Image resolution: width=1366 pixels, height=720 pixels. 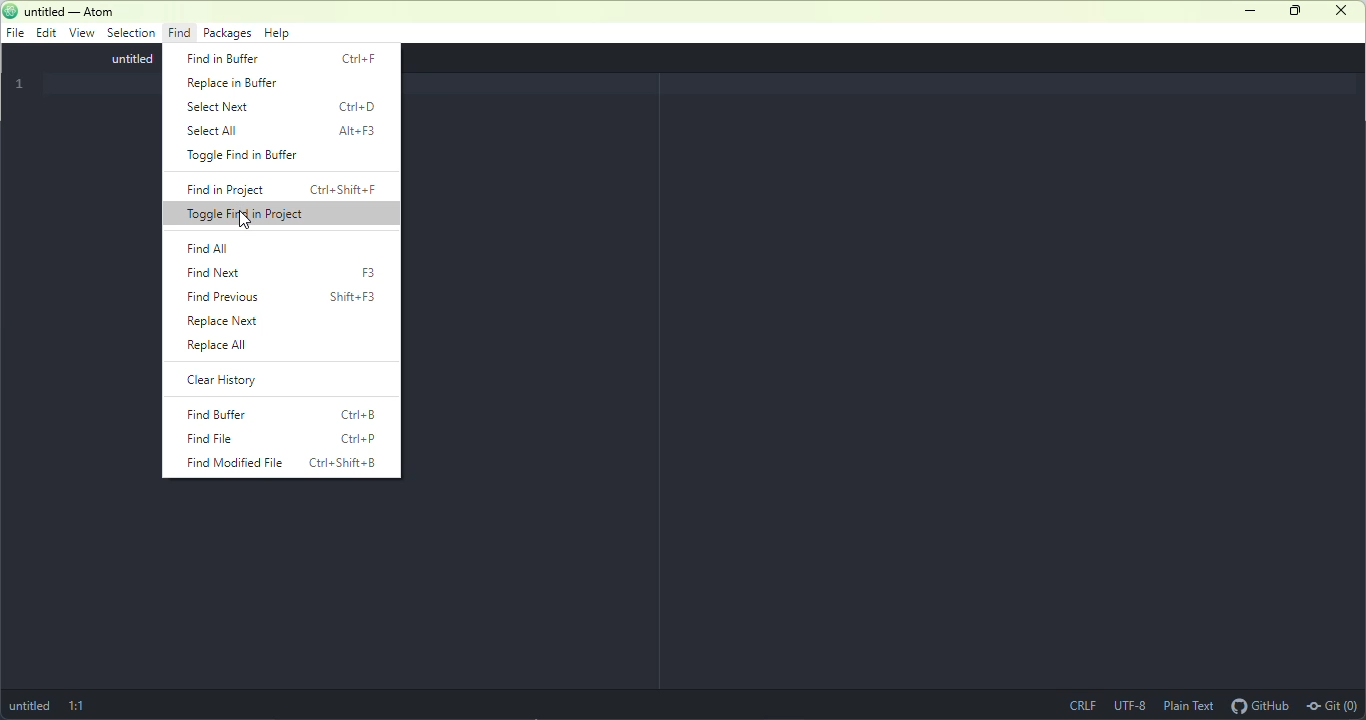 I want to click on find in project, so click(x=285, y=191).